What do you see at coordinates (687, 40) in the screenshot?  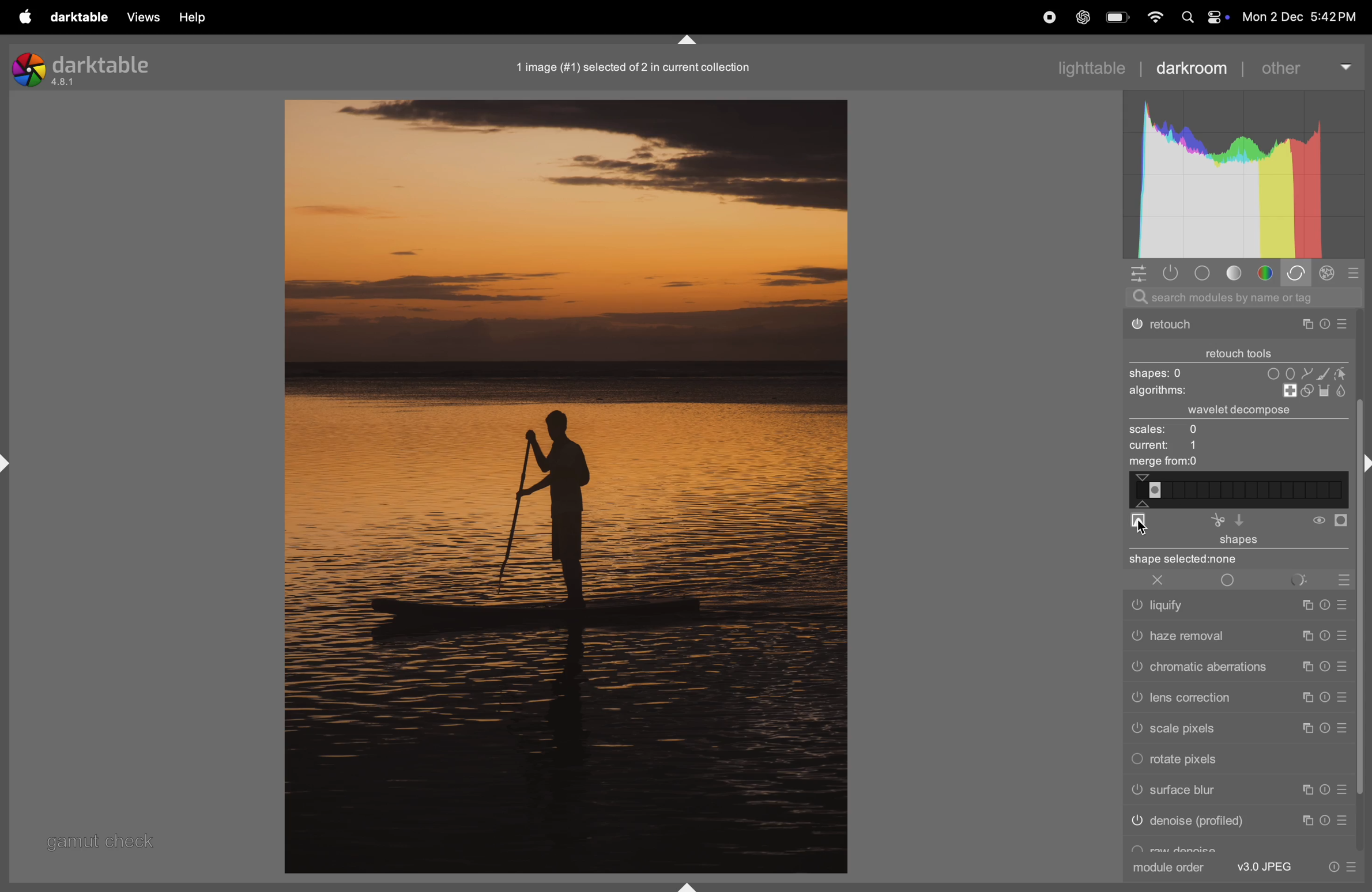 I see `Collapse` at bounding box center [687, 40].